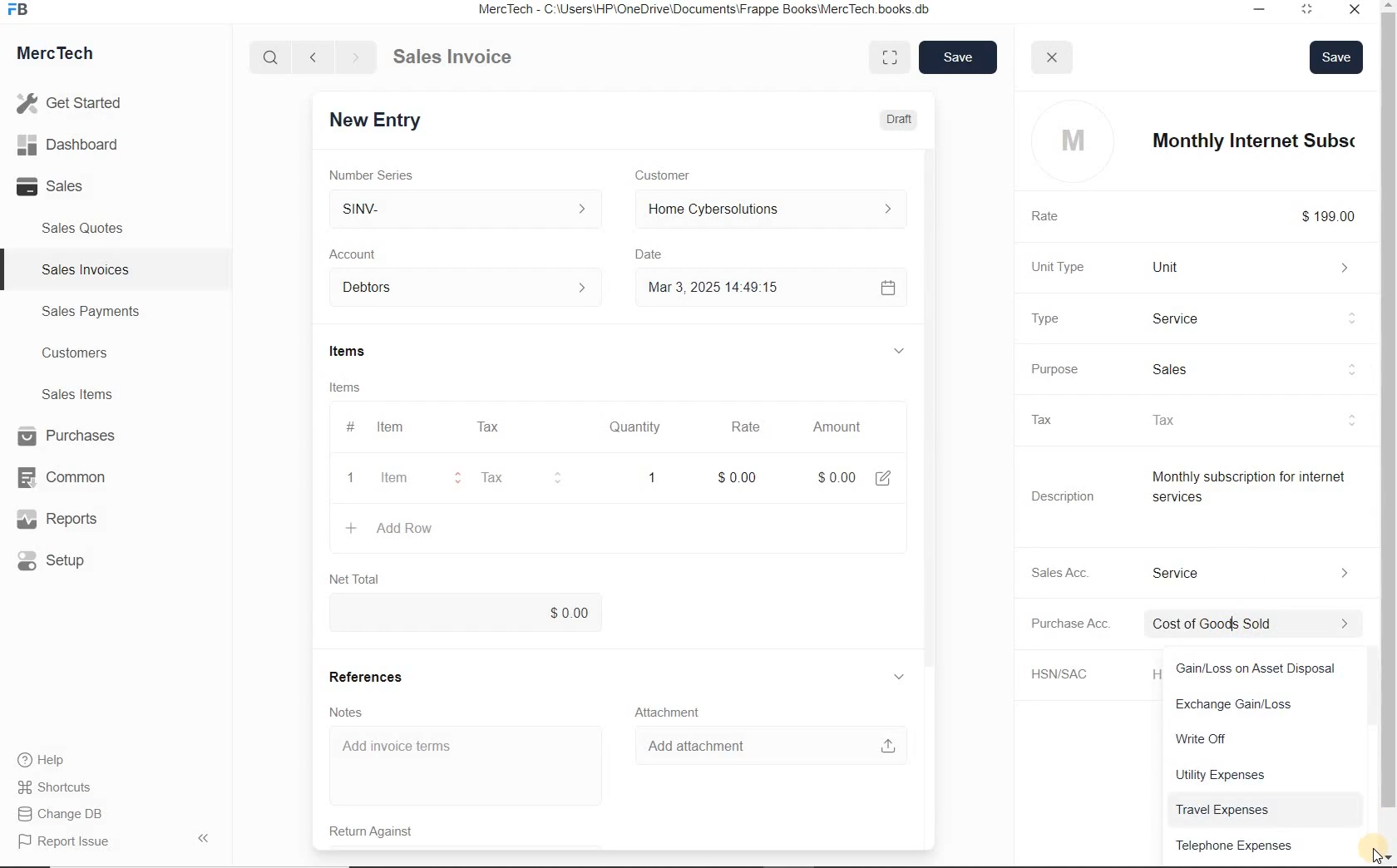 This screenshot has width=1397, height=868. I want to click on Save, so click(1337, 55).